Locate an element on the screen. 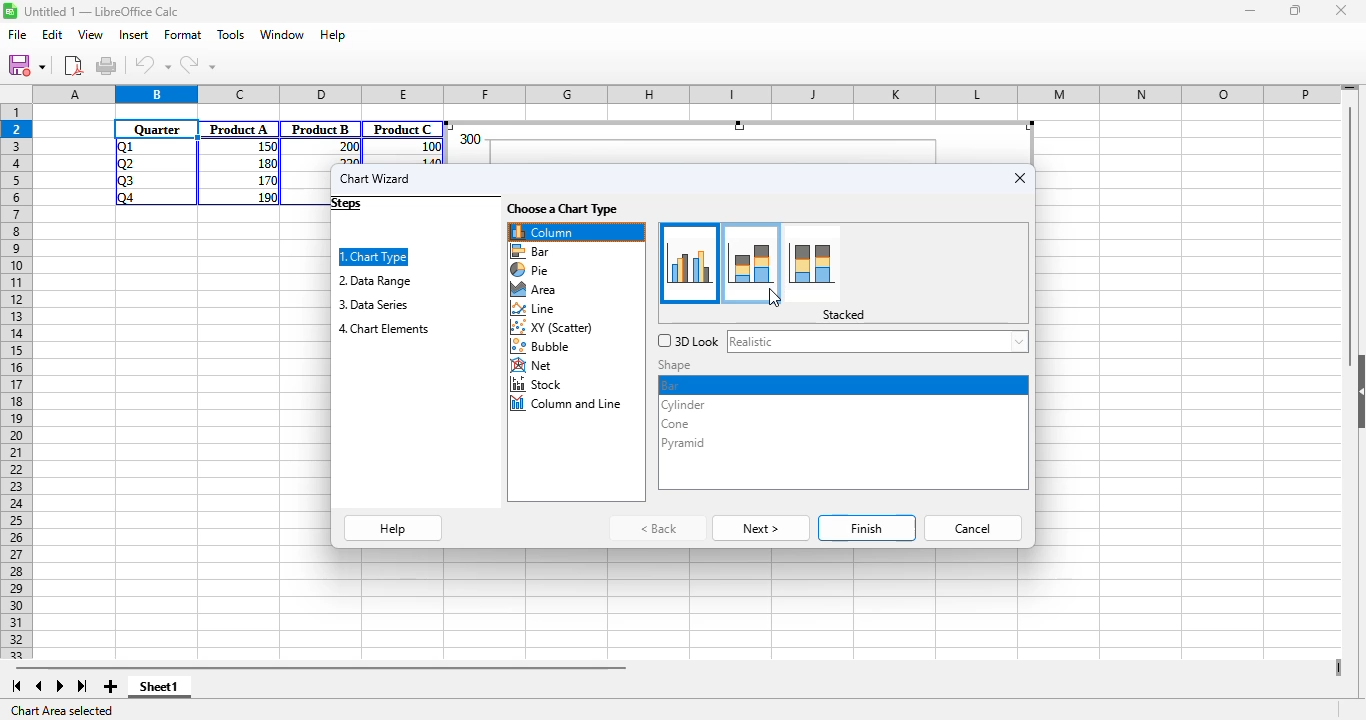  area is located at coordinates (533, 290).